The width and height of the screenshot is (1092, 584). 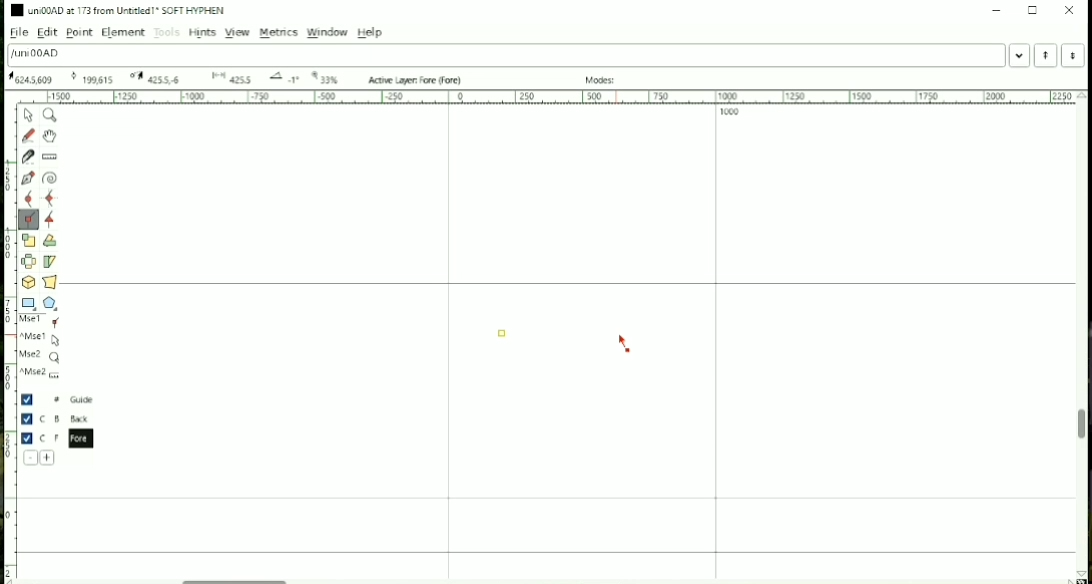 What do you see at coordinates (1020, 55) in the screenshot?
I see `Word list` at bounding box center [1020, 55].